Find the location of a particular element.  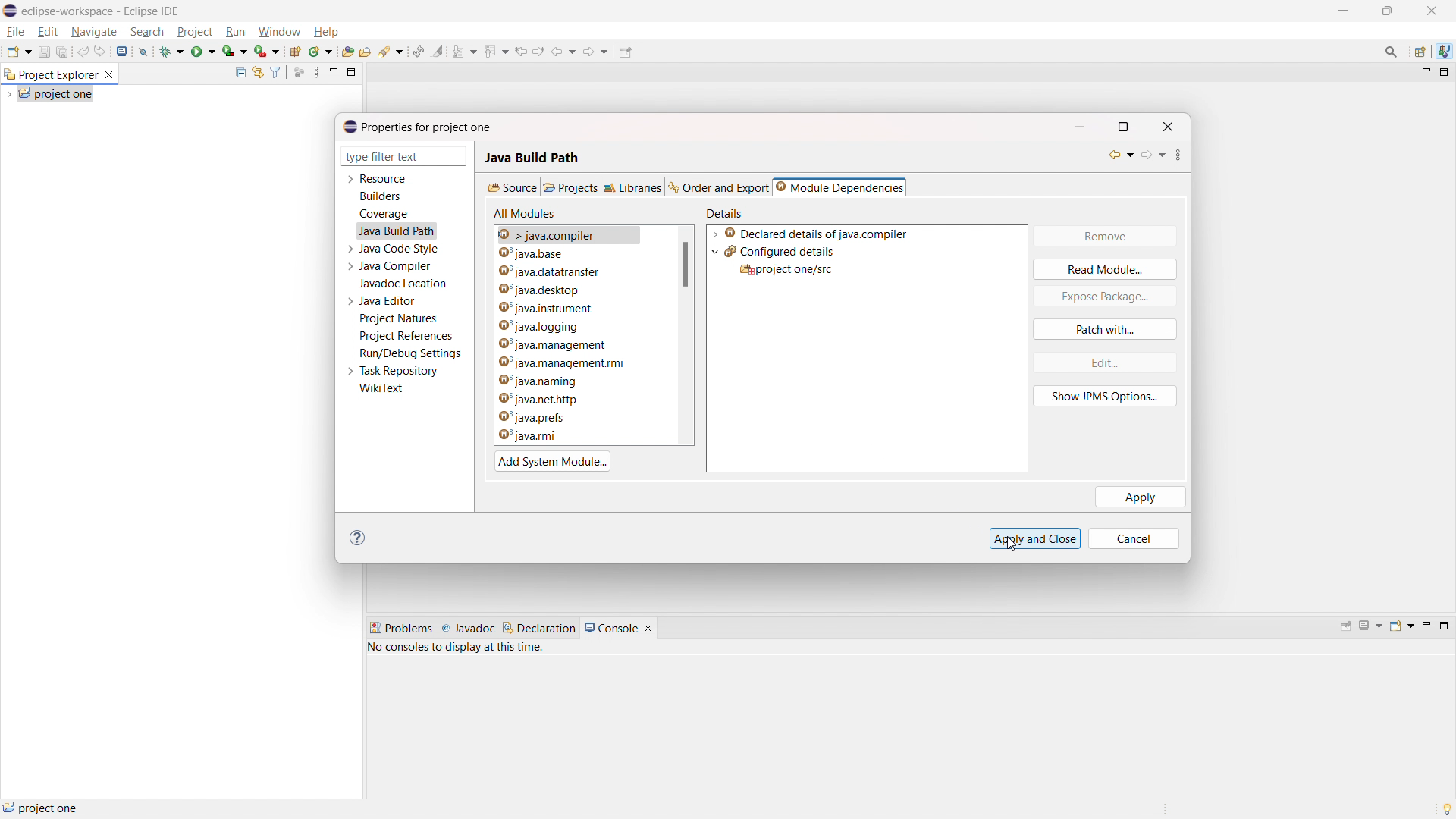

expand java editor is located at coordinates (350, 301).